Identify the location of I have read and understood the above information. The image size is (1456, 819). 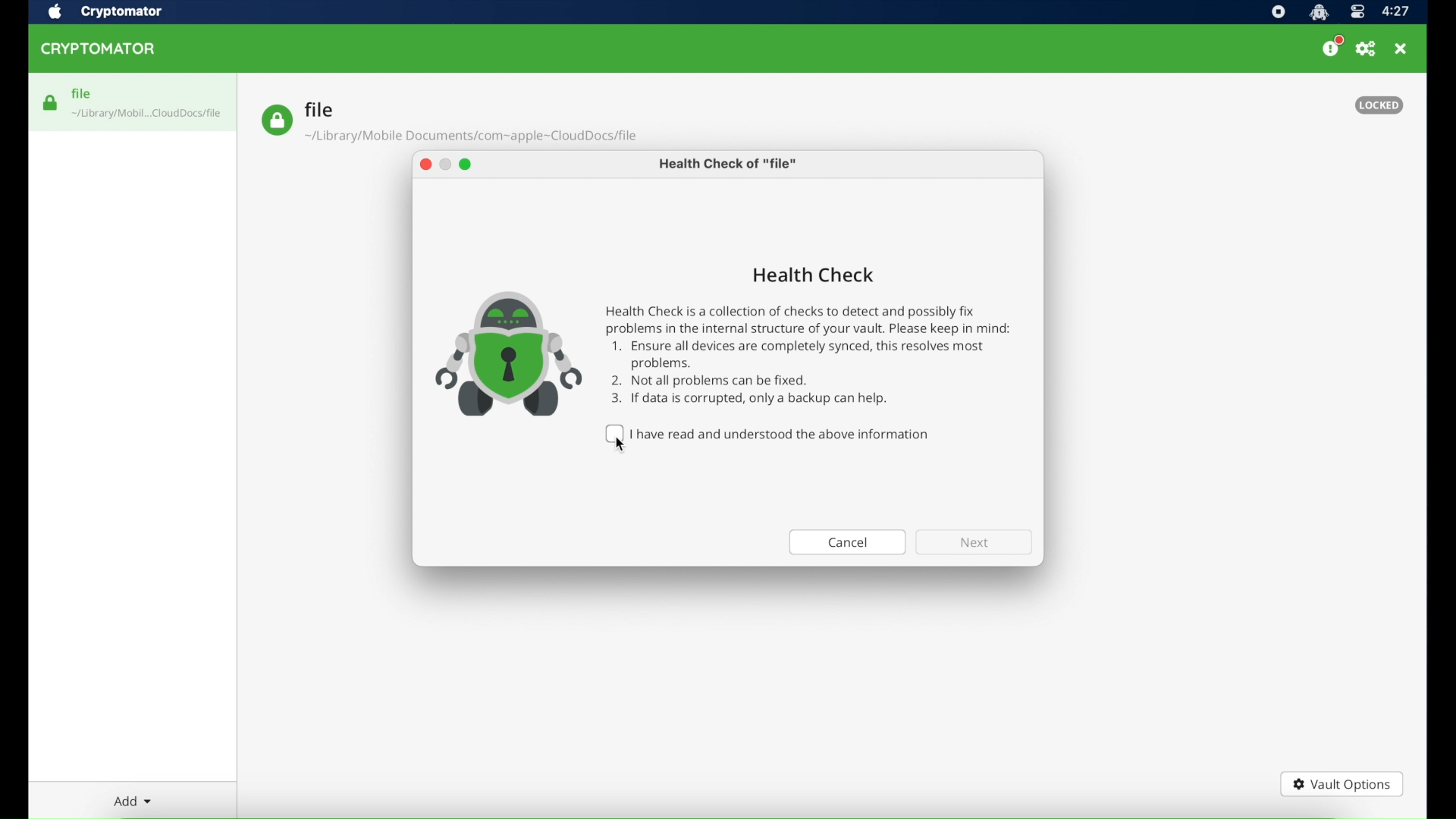
(771, 435).